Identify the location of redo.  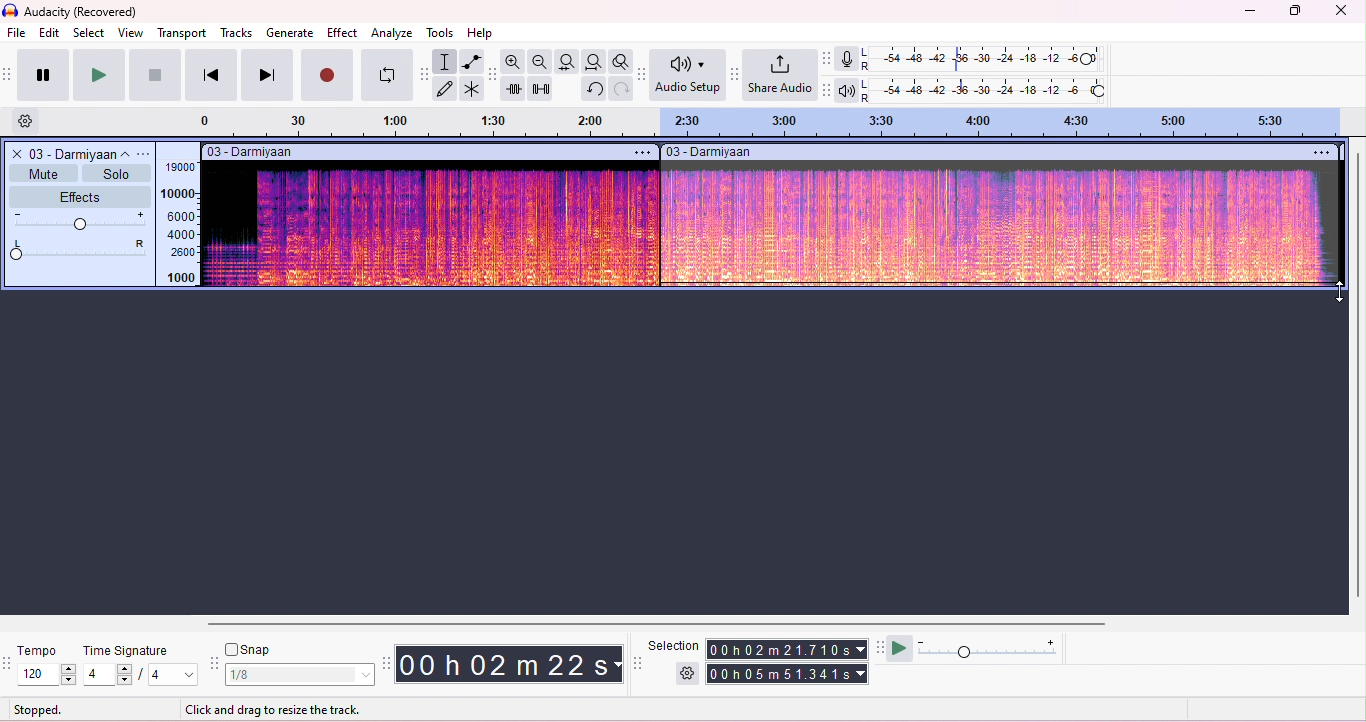
(619, 88).